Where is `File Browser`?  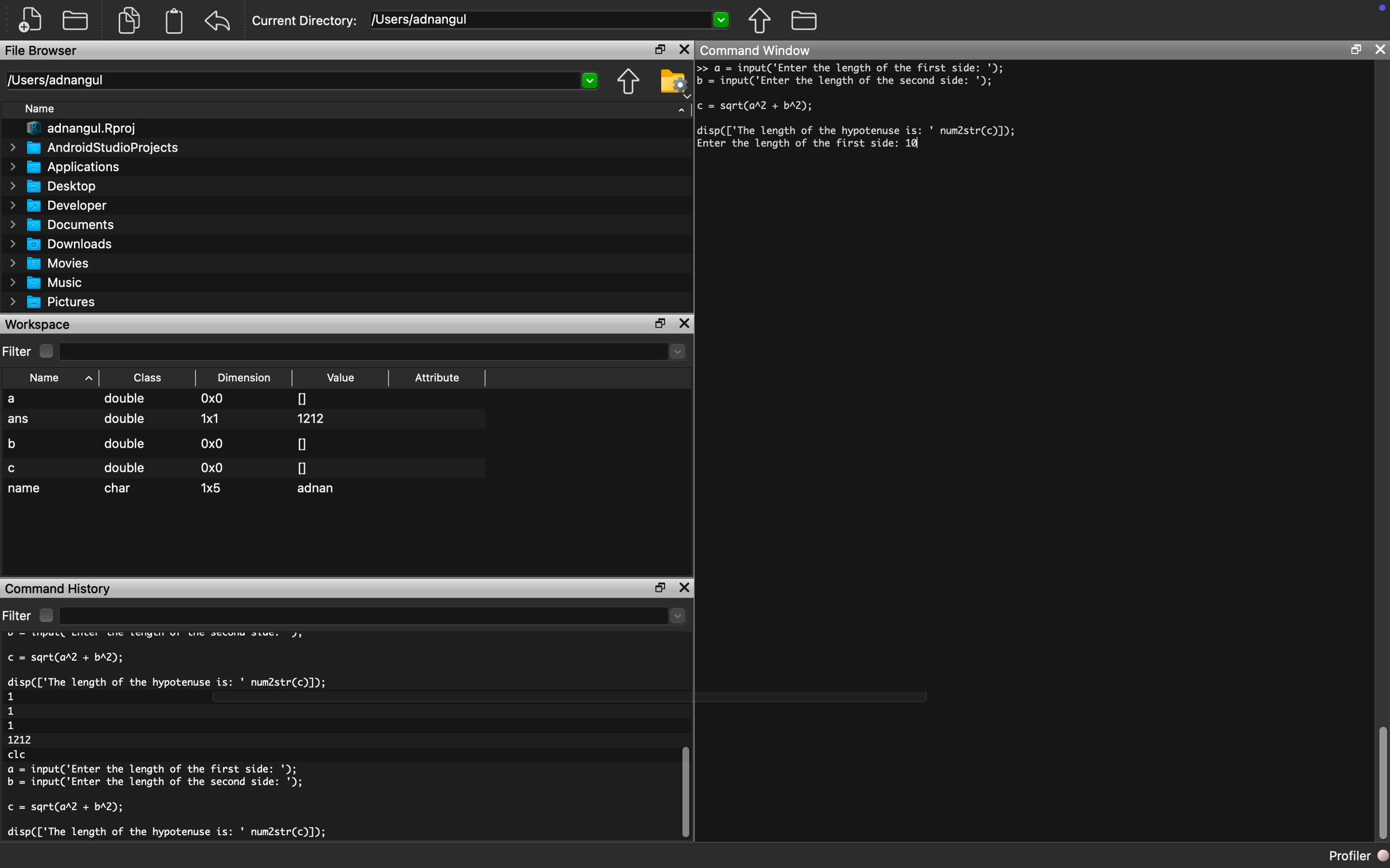
File Browser is located at coordinates (43, 52).